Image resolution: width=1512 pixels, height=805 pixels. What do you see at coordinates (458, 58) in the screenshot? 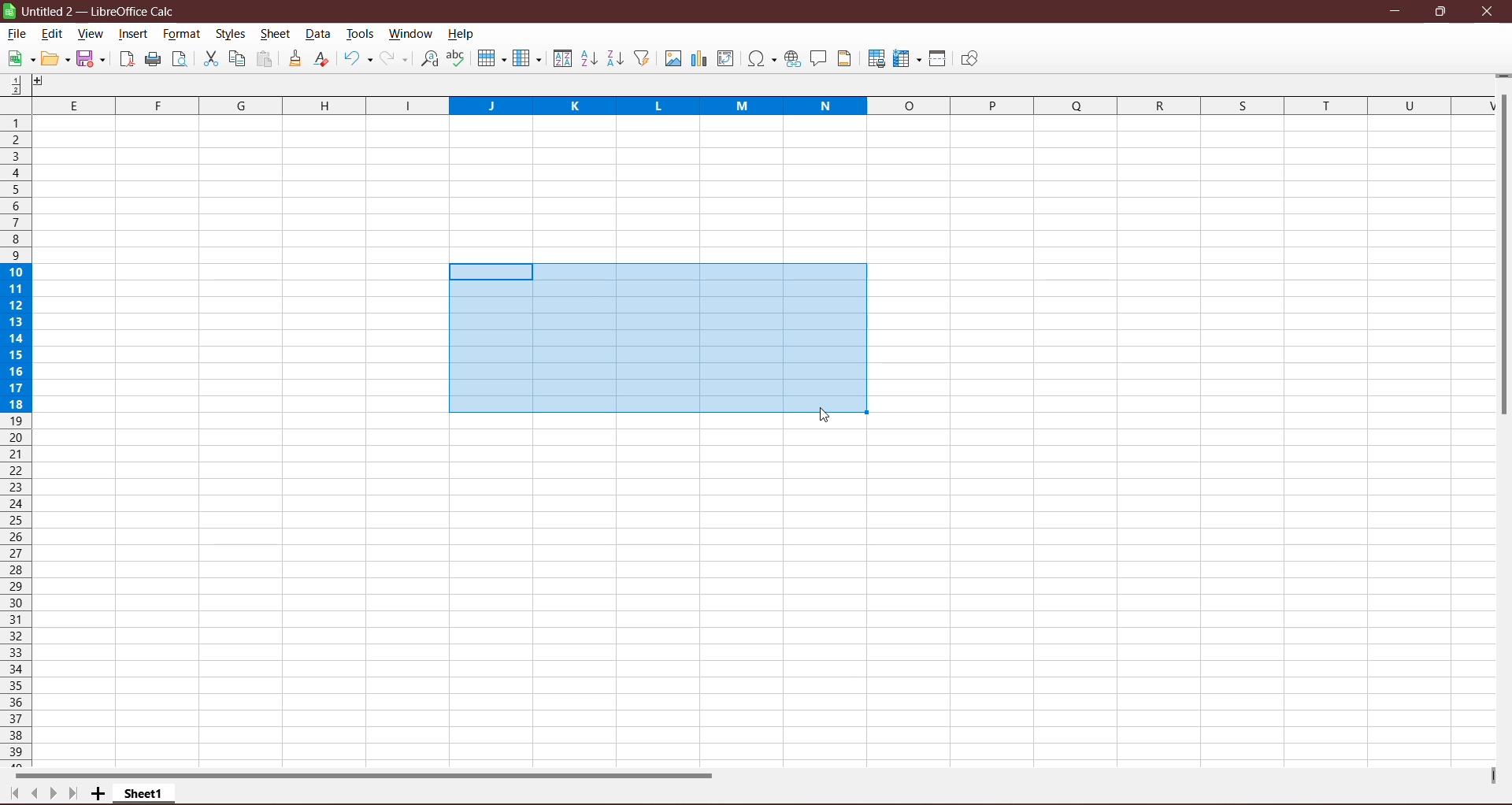
I see `Spelling` at bounding box center [458, 58].